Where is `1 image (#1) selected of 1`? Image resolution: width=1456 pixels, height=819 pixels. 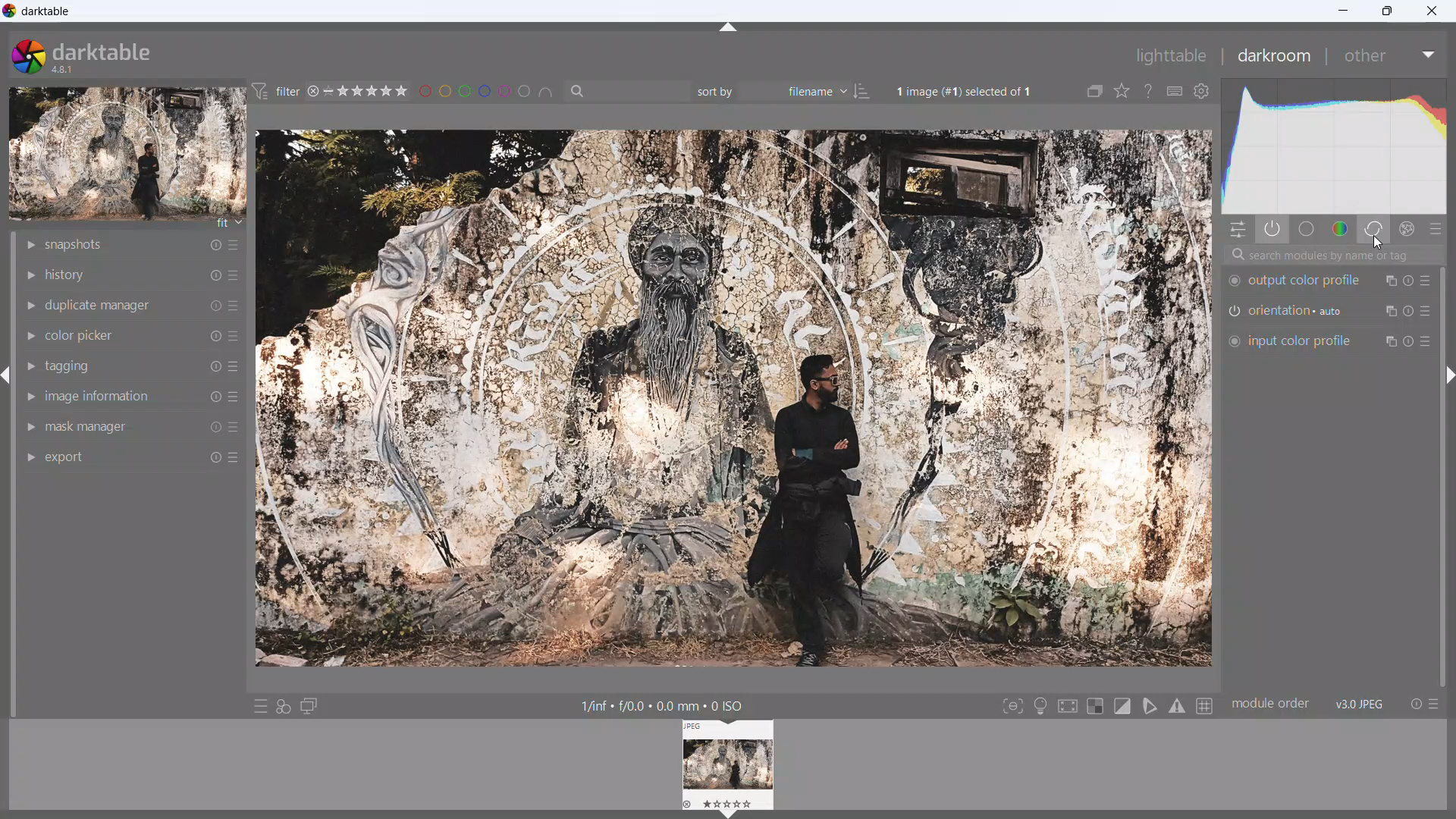 1 image (#1) selected of 1 is located at coordinates (967, 95).